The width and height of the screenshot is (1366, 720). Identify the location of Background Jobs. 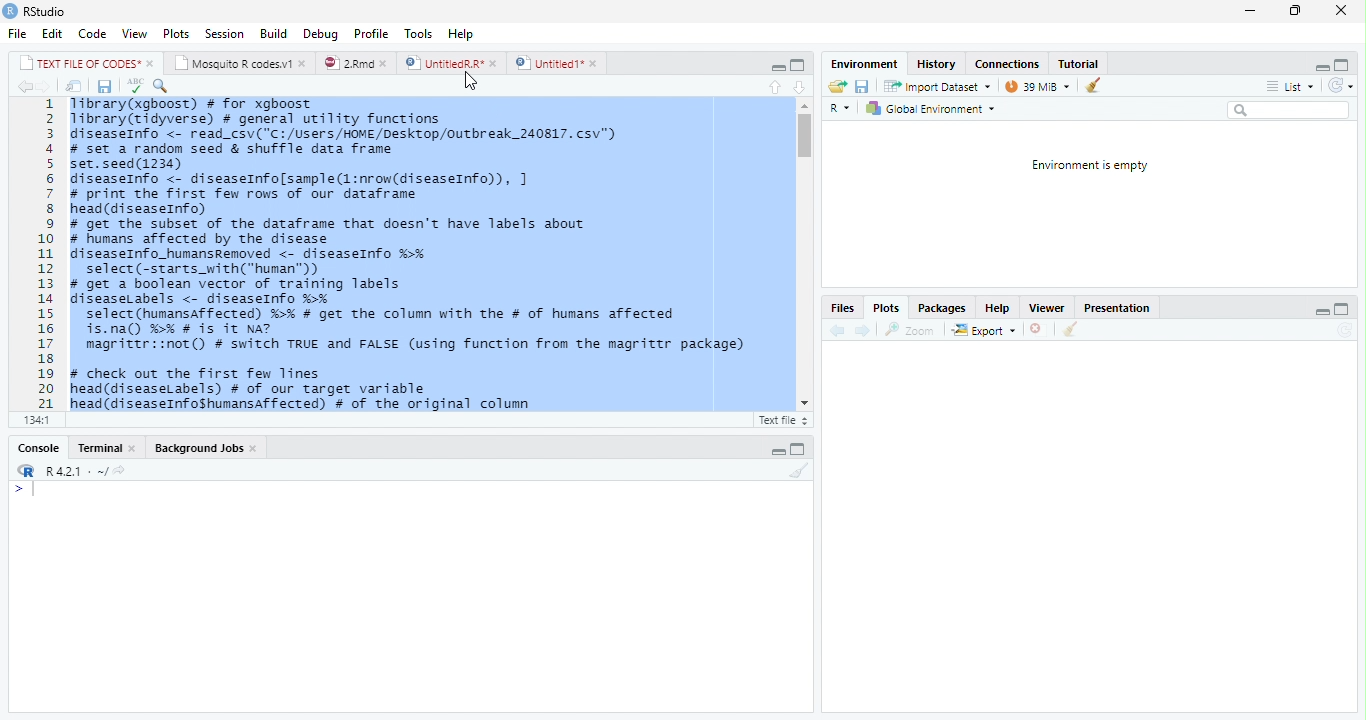
(206, 447).